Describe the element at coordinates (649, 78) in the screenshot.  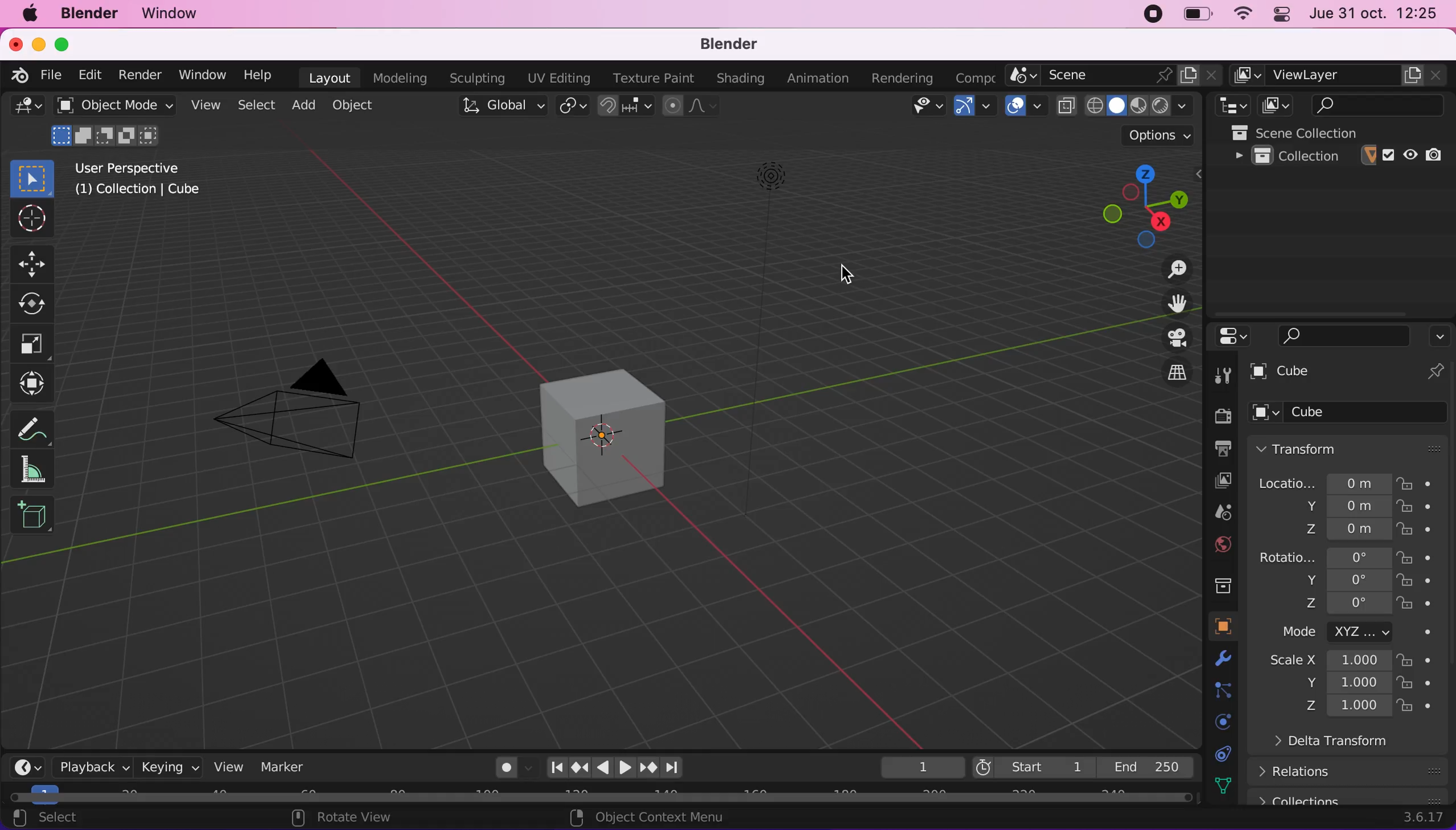
I see `texture paint` at that location.